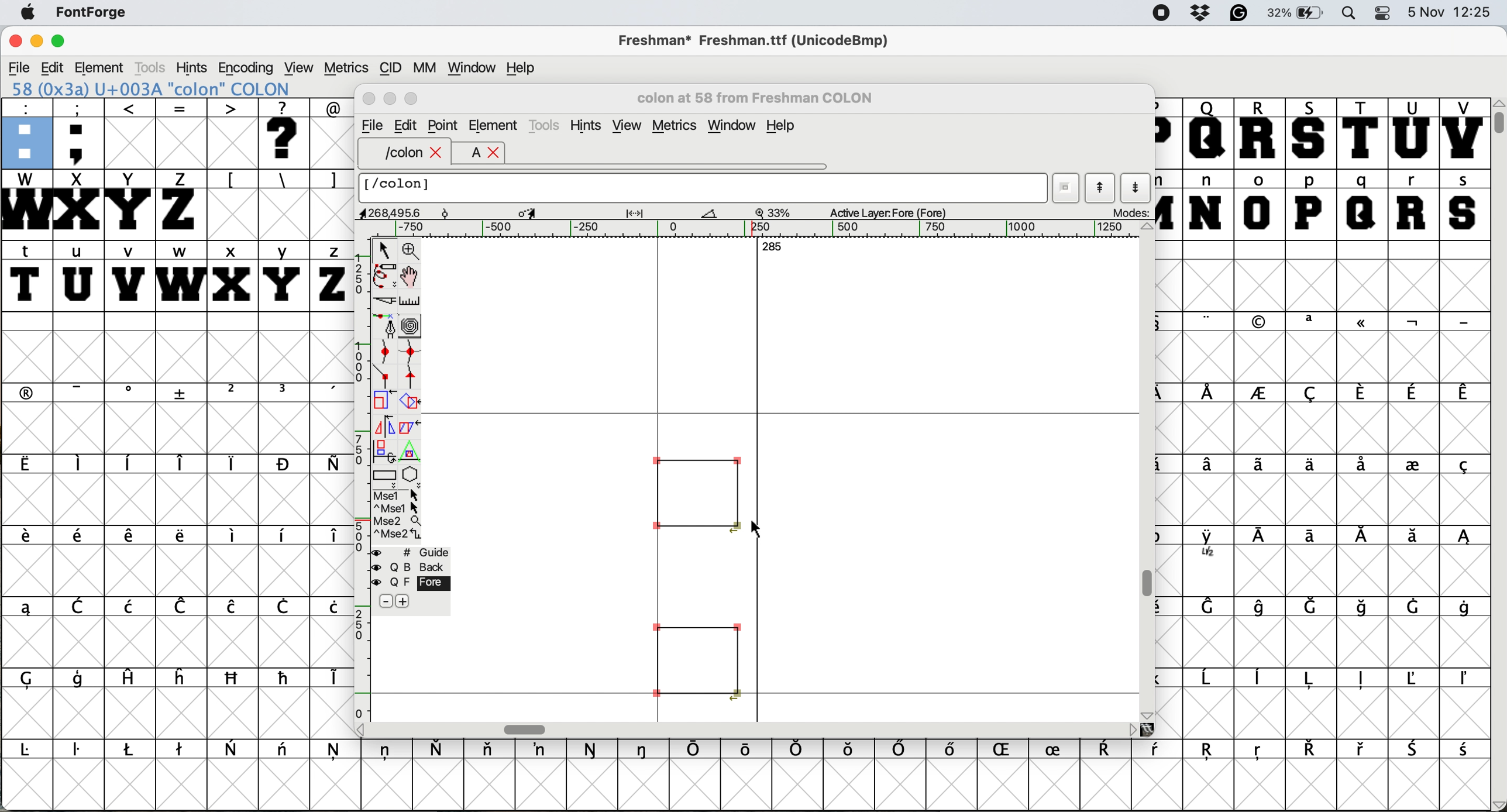  What do you see at coordinates (80, 133) in the screenshot?
I see `;` at bounding box center [80, 133].